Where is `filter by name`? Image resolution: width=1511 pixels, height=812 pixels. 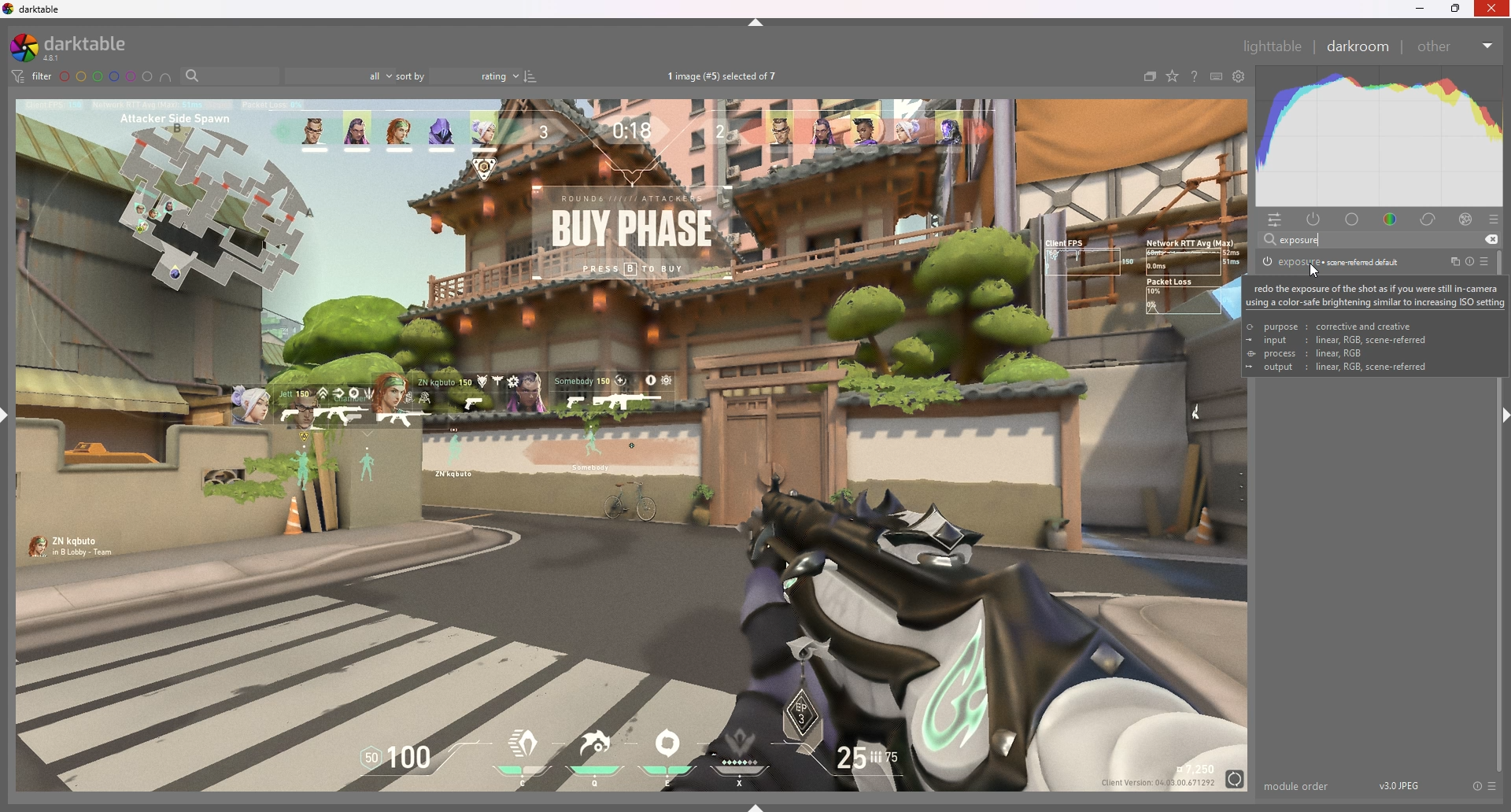 filter by name is located at coordinates (230, 75).